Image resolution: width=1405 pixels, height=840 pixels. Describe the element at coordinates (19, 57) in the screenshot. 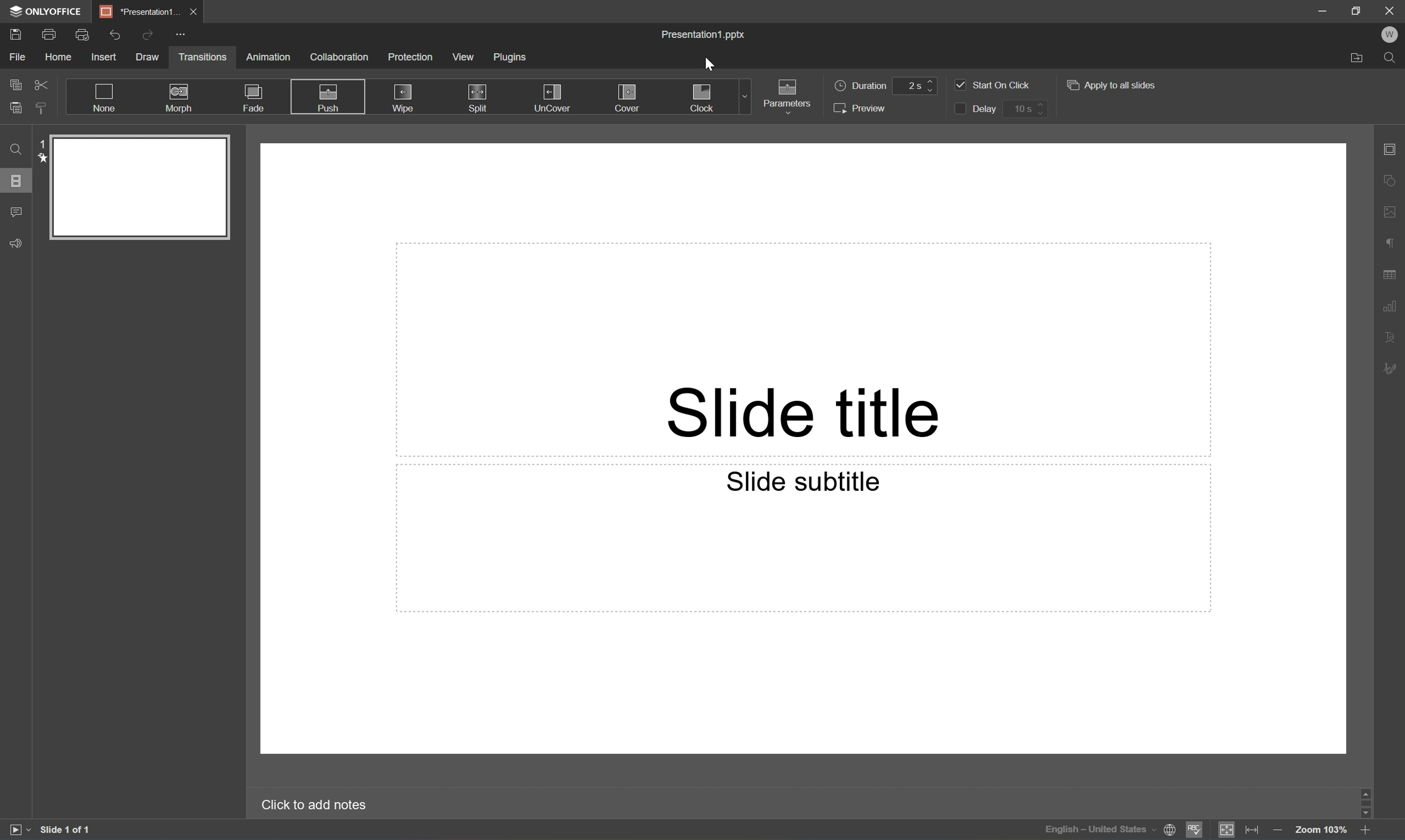

I see `File` at that location.